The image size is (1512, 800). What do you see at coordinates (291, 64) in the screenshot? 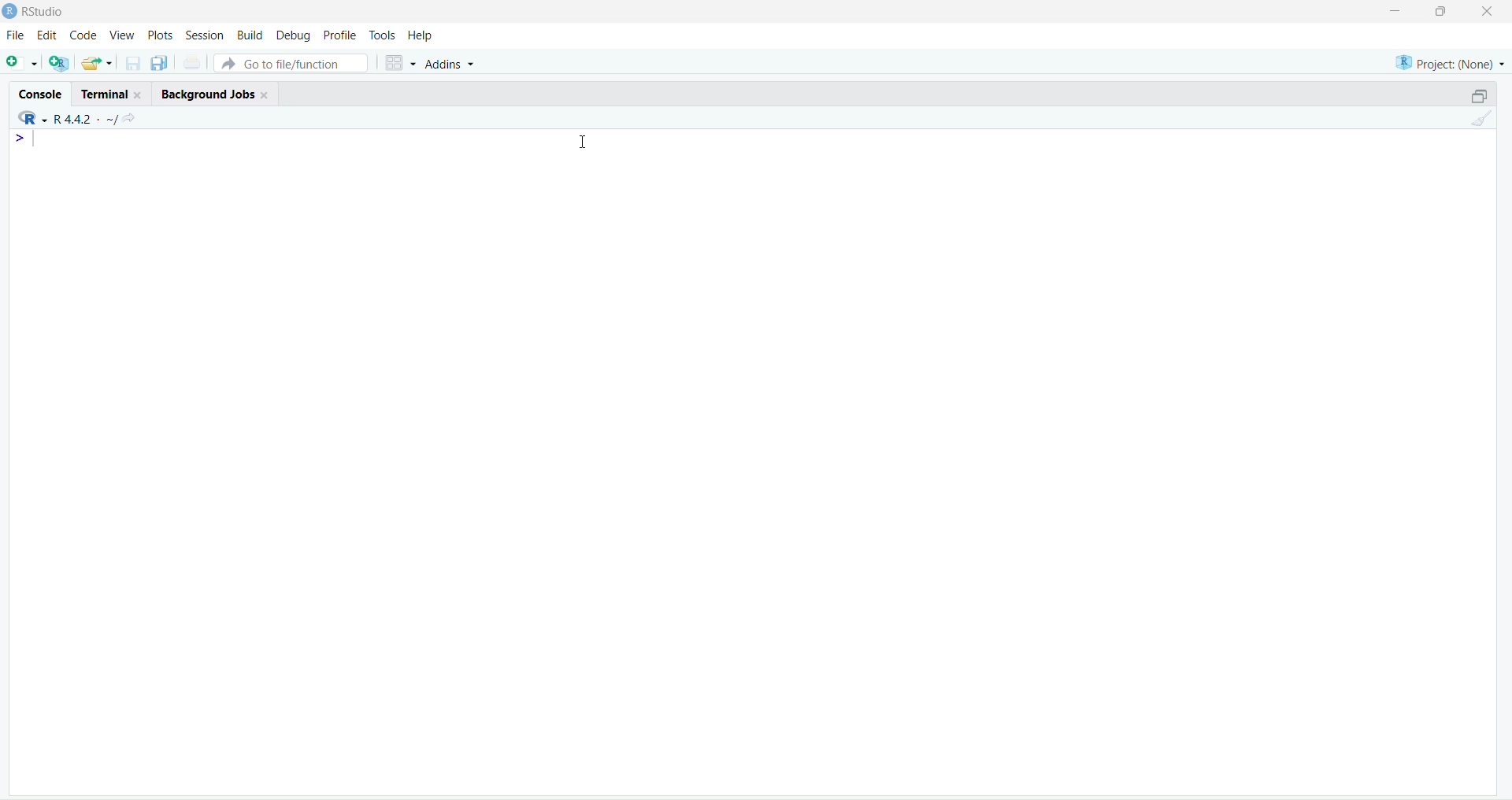
I see `go to file/function` at bounding box center [291, 64].